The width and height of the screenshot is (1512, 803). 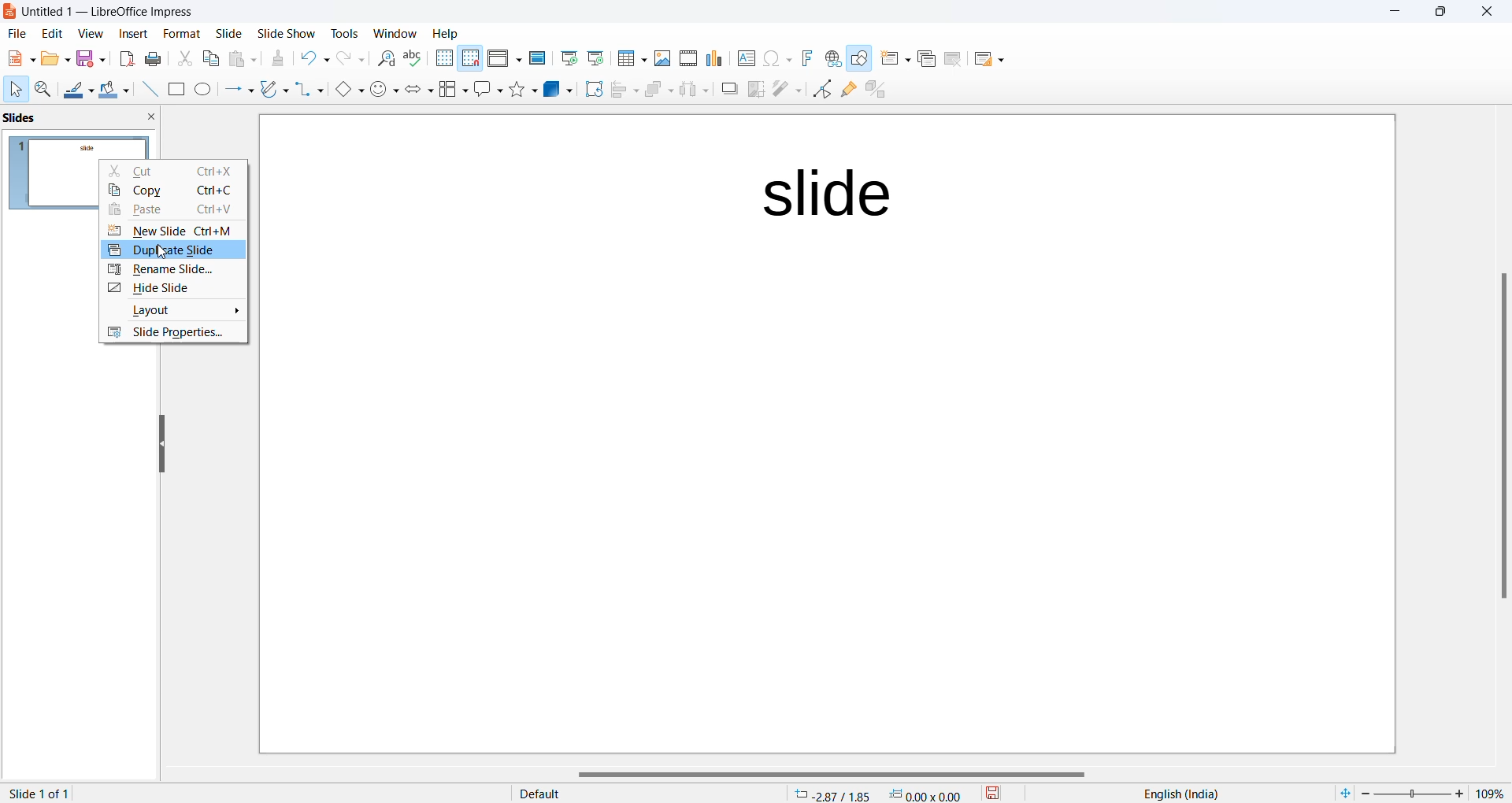 What do you see at coordinates (342, 31) in the screenshot?
I see `Tools` at bounding box center [342, 31].